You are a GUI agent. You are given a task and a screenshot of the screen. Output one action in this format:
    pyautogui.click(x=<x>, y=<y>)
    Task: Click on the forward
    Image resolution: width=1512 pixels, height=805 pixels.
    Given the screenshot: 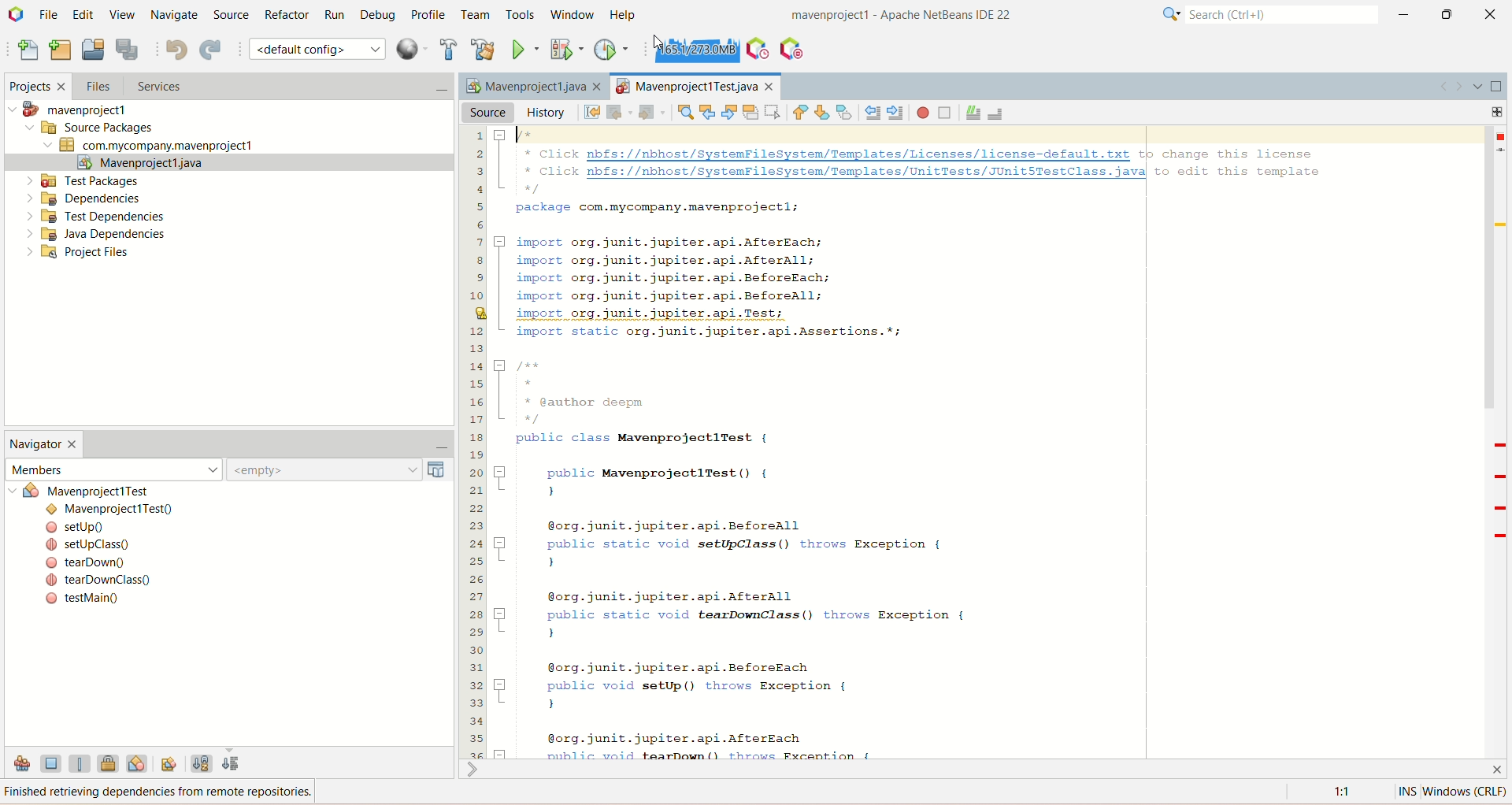 What is the action you would take?
    pyautogui.click(x=649, y=113)
    